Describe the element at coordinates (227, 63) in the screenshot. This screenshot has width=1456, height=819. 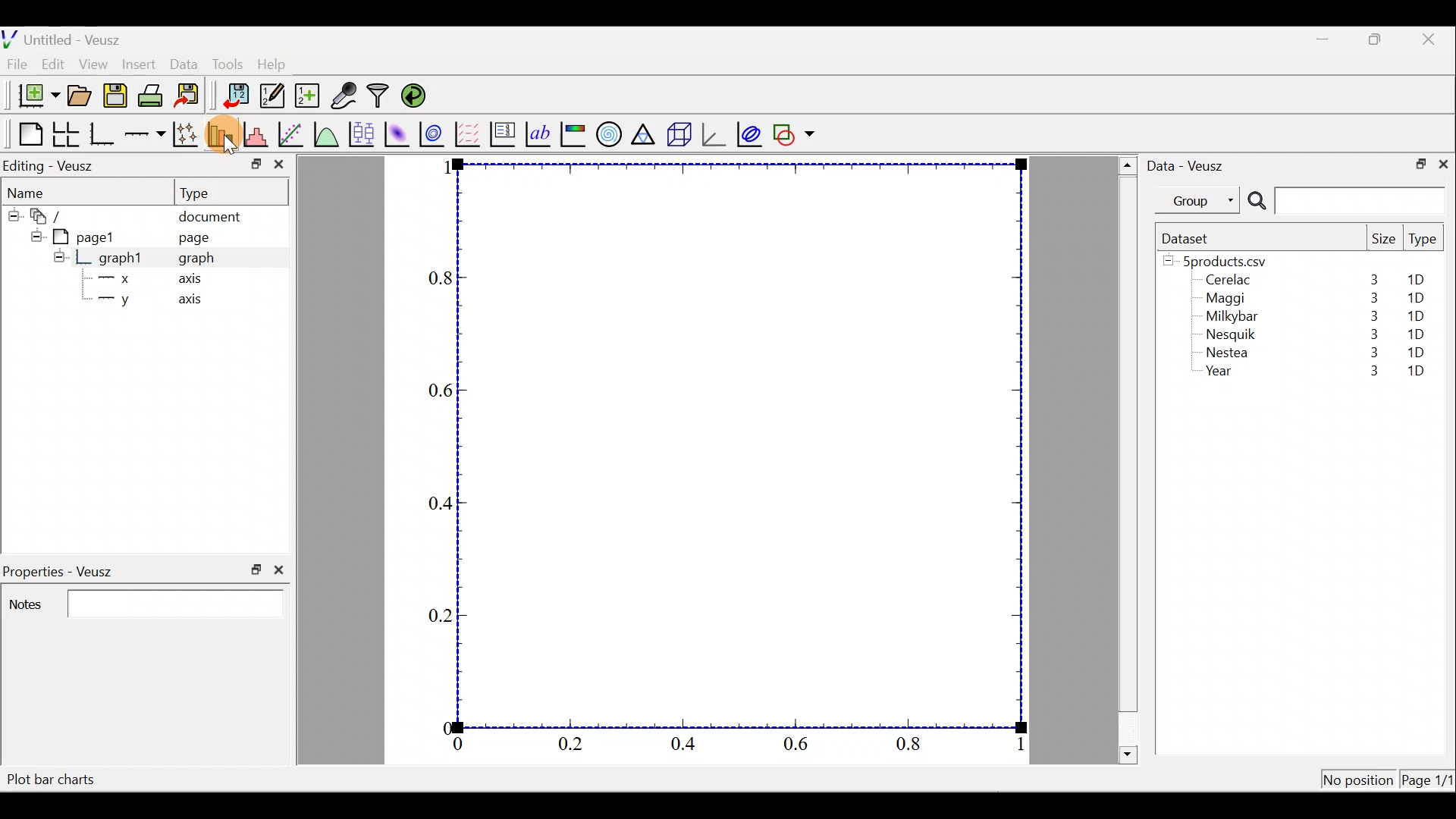
I see `Tools` at that location.